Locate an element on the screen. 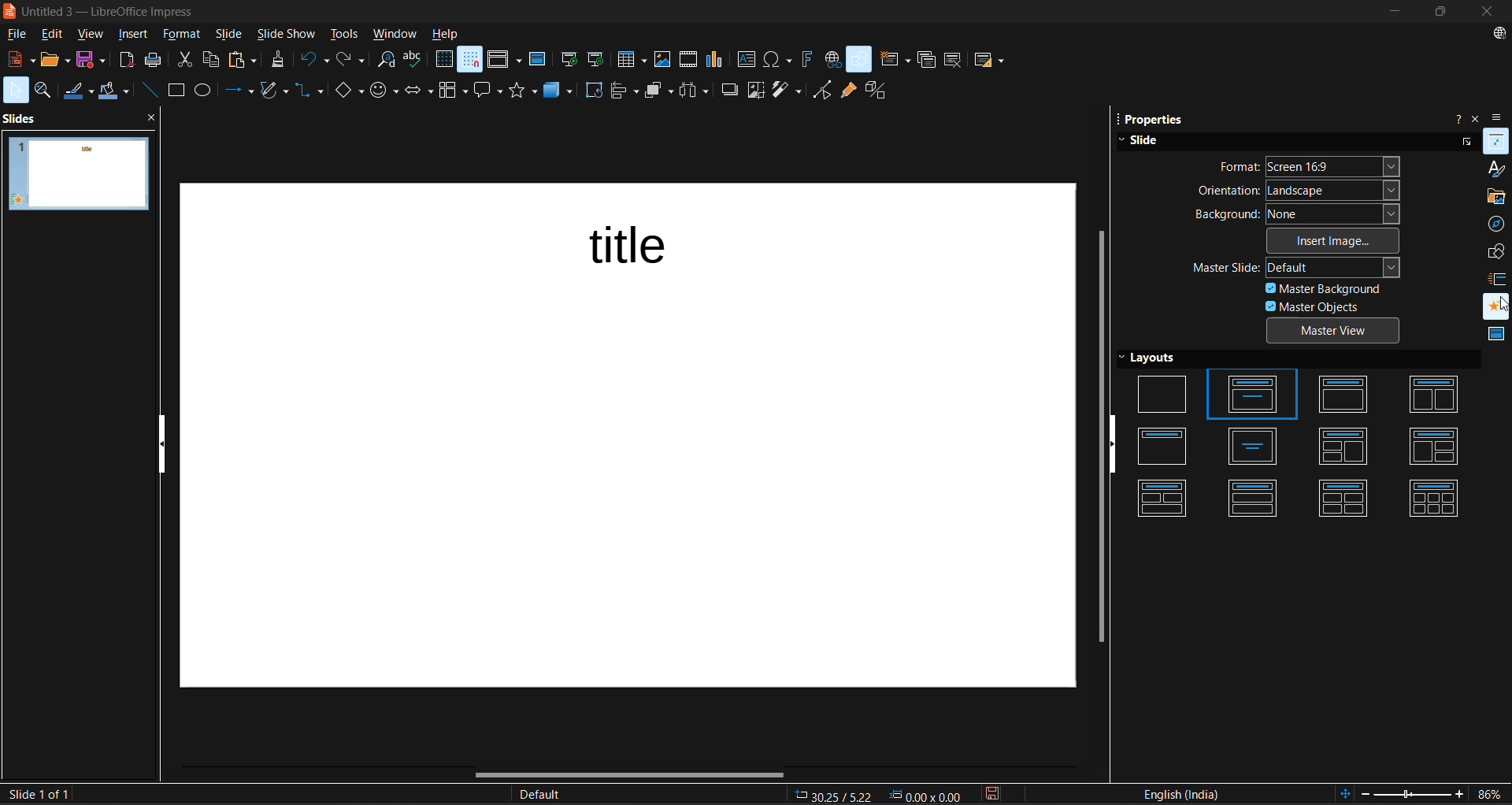  master slide is located at coordinates (1299, 265).